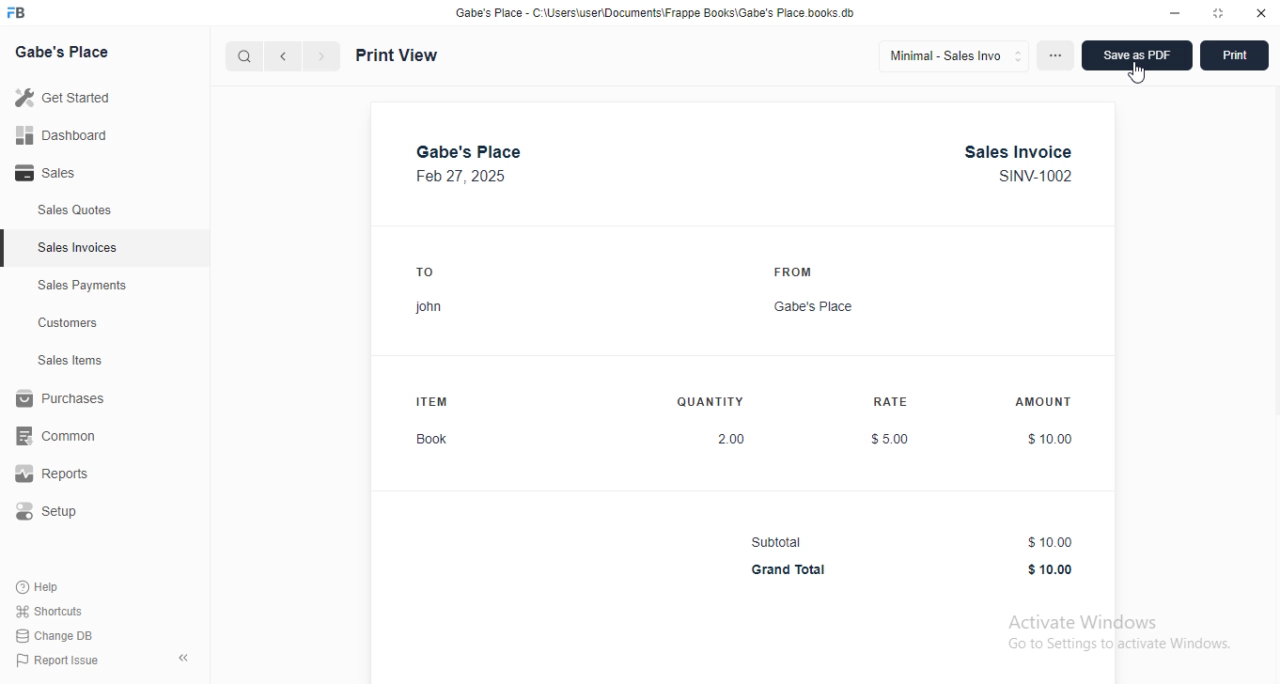  I want to click on purchases, so click(62, 398).